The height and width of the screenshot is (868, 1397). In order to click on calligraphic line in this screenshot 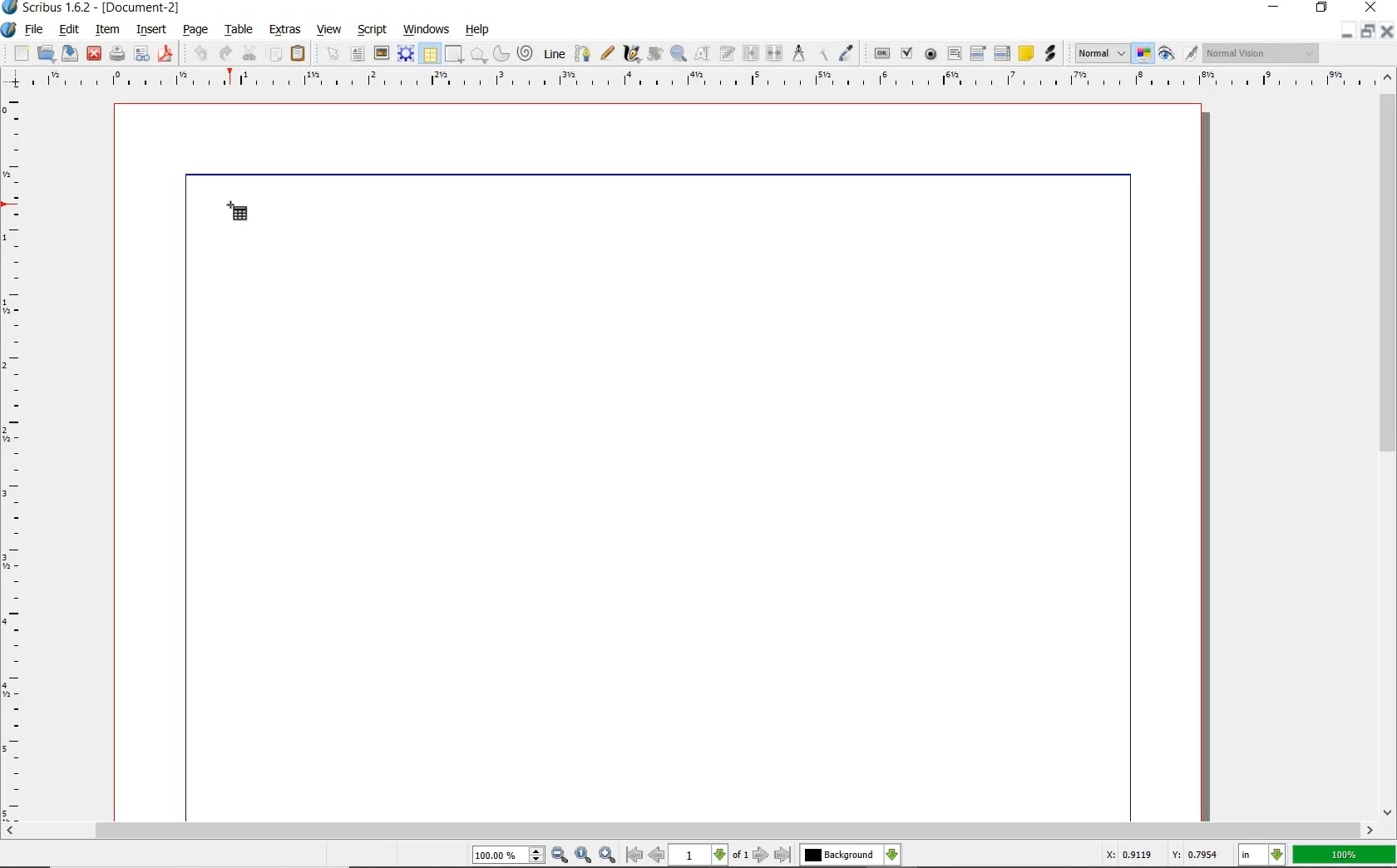, I will do `click(630, 55)`.